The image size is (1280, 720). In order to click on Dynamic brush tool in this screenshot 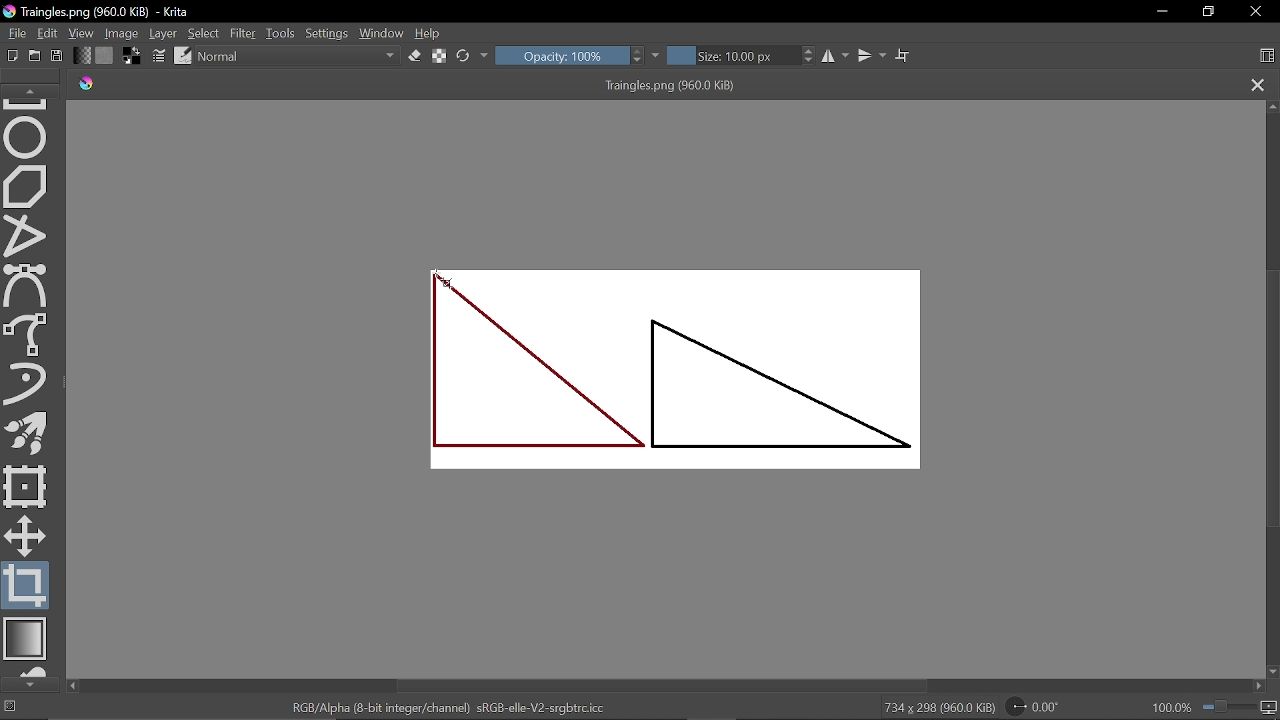, I will do `click(26, 383)`.